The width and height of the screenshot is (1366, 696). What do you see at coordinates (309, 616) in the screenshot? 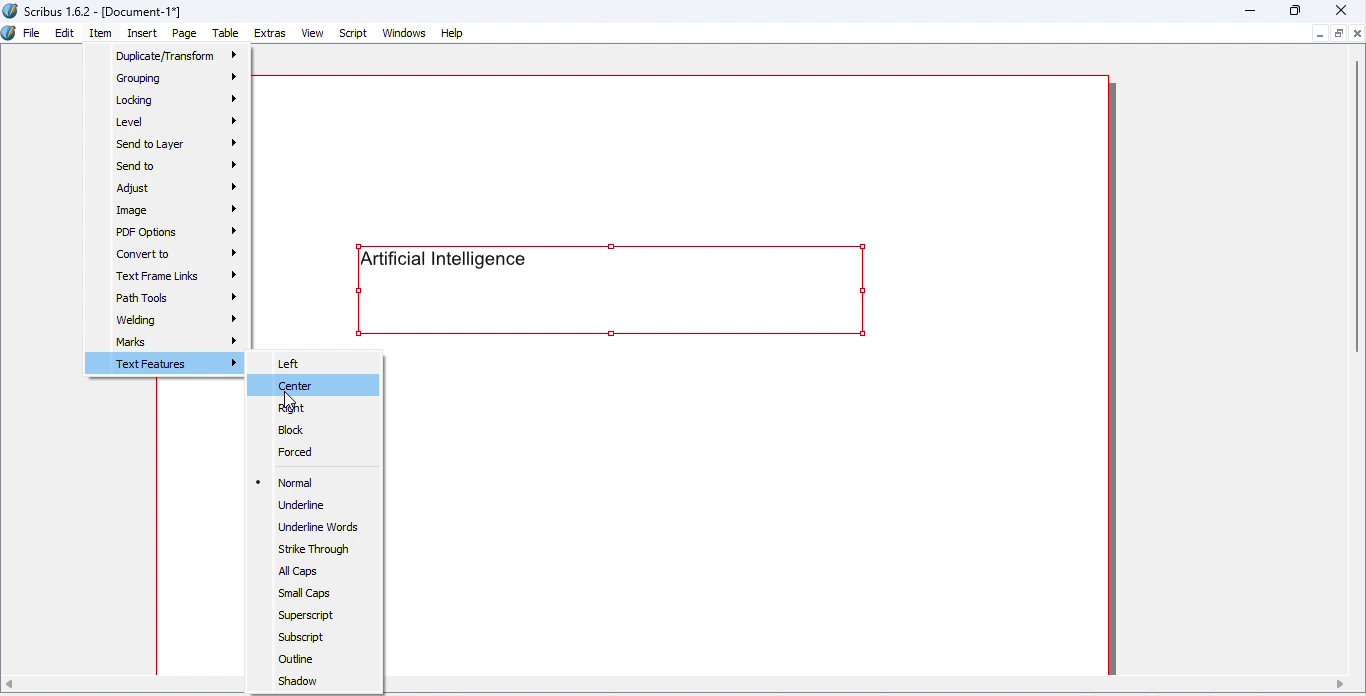
I see `Superscript` at bounding box center [309, 616].